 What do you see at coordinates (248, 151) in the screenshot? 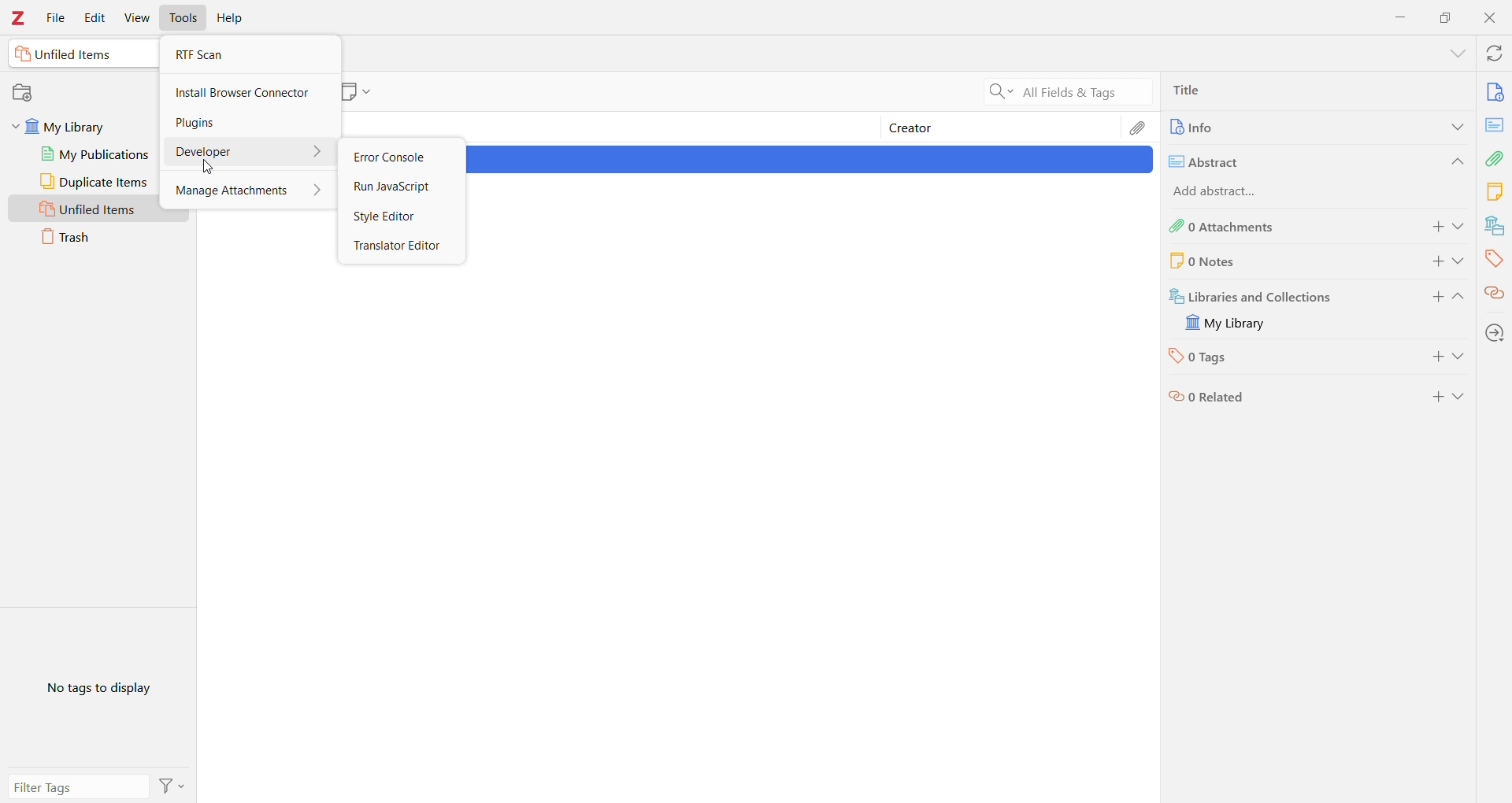
I see `Developer` at bounding box center [248, 151].